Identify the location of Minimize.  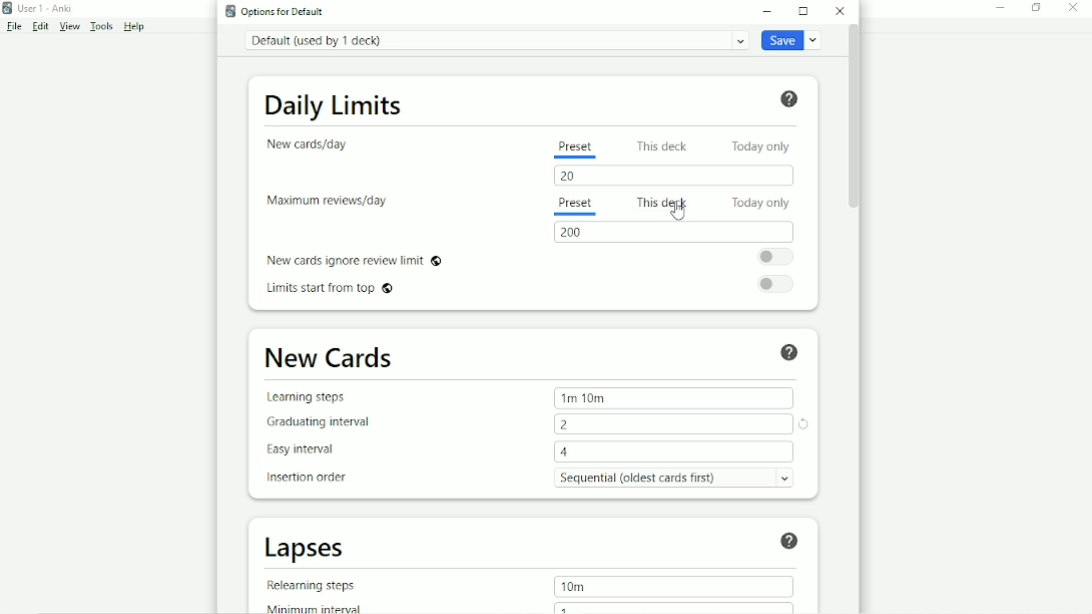
(1003, 7).